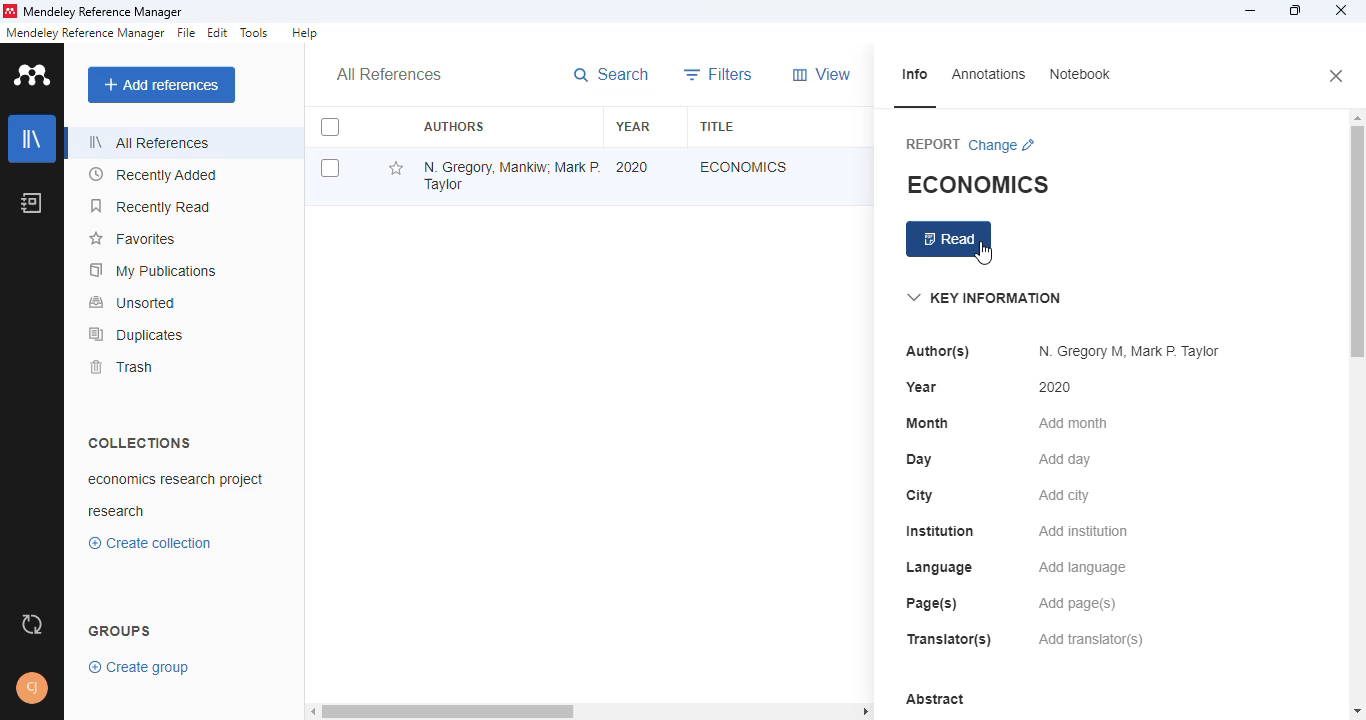  What do you see at coordinates (939, 530) in the screenshot?
I see `institution` at bounding box center [939, 530].